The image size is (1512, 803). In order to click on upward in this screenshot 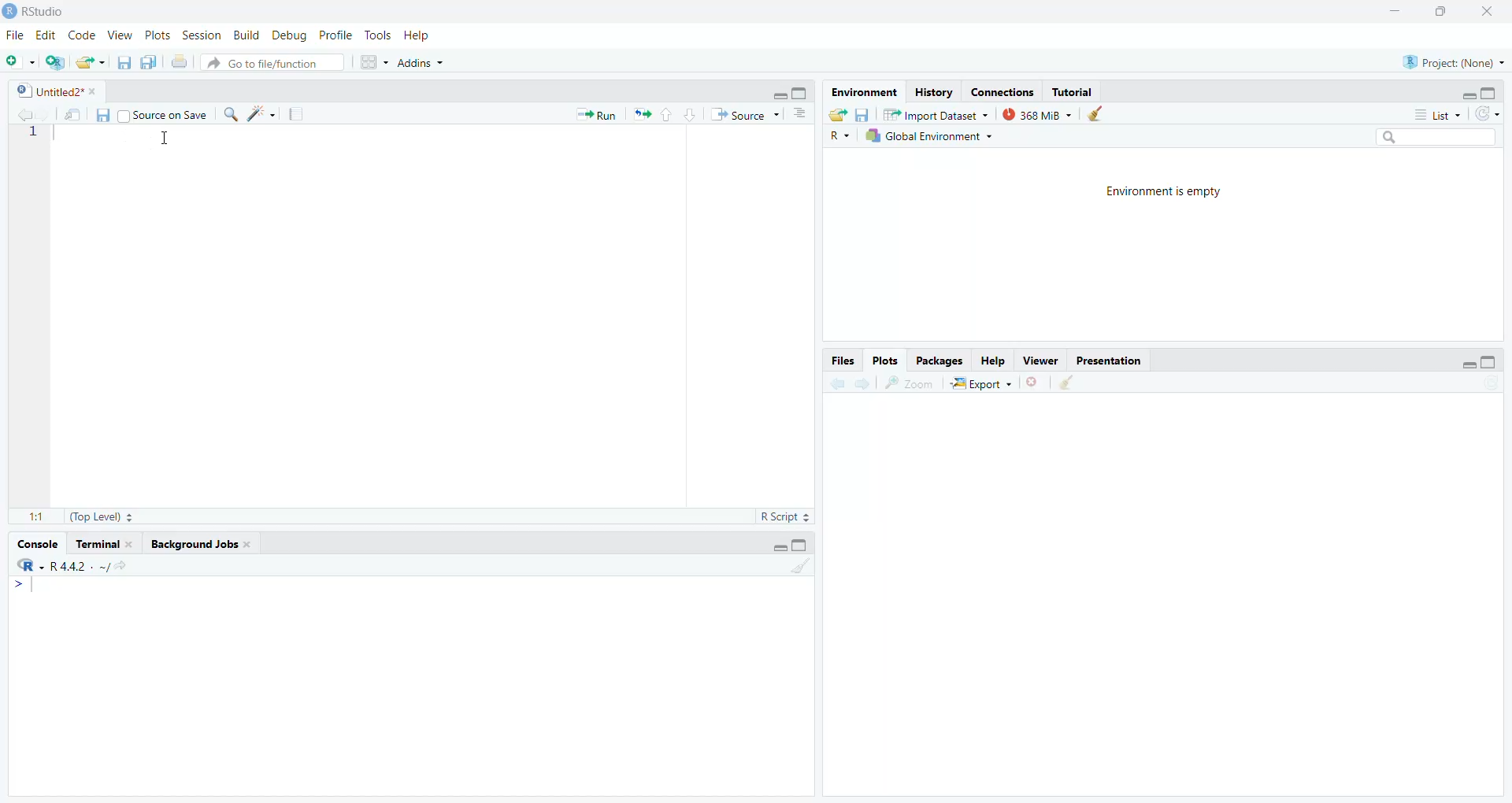, I will do `click(669, 117)`.